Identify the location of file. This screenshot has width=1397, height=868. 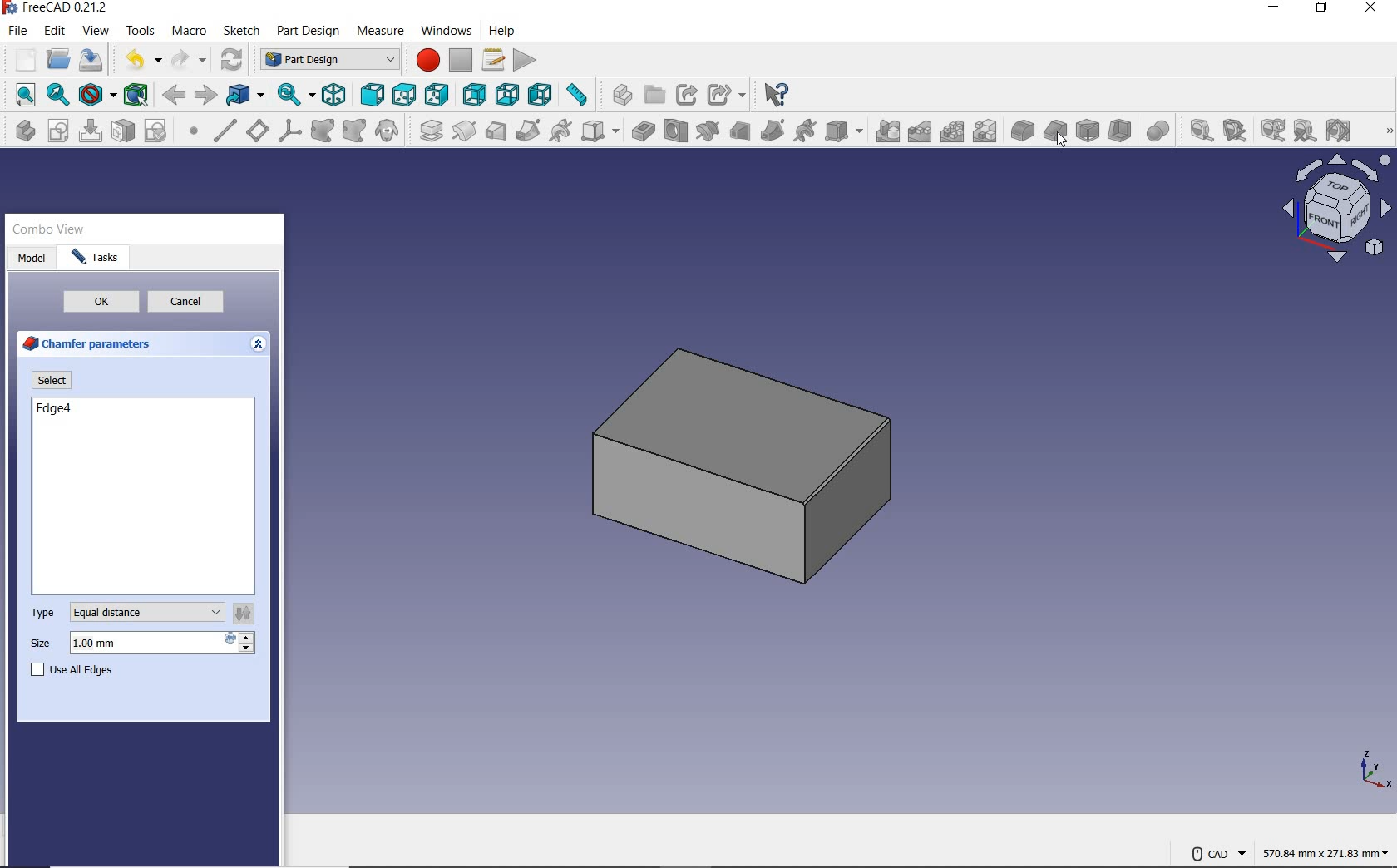
(18, 31).